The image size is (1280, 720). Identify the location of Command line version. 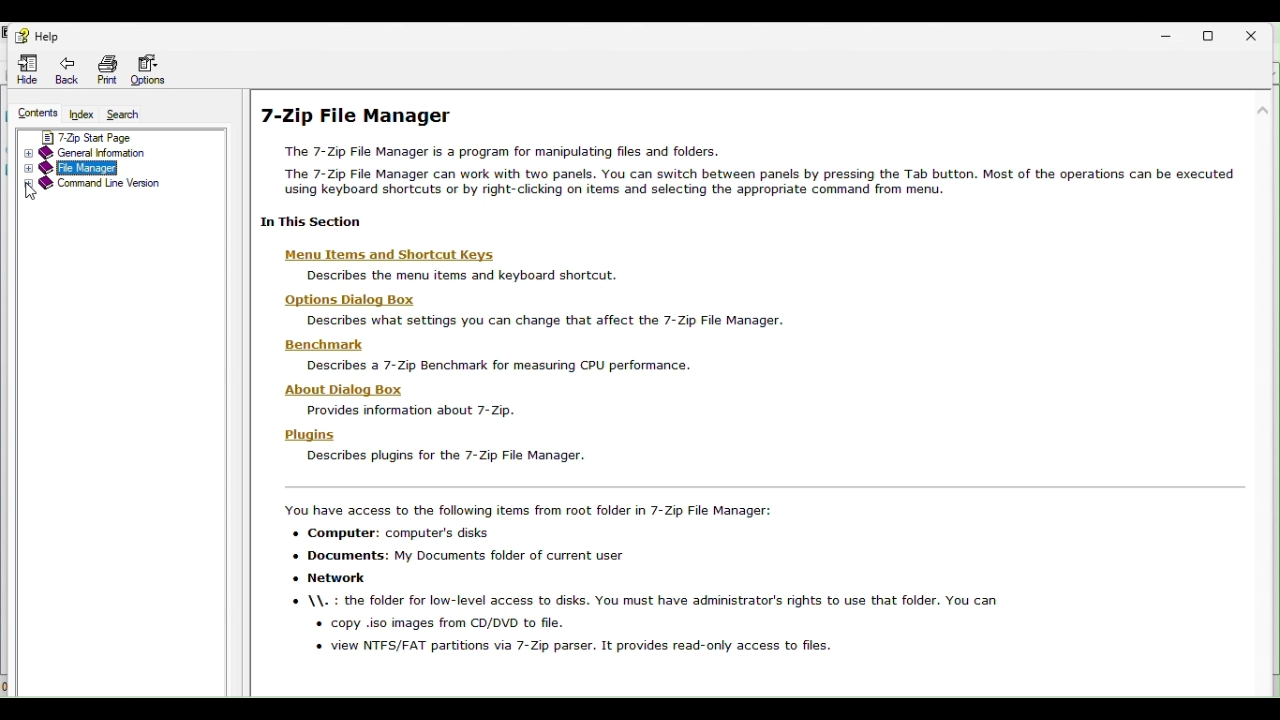
(100, 185).